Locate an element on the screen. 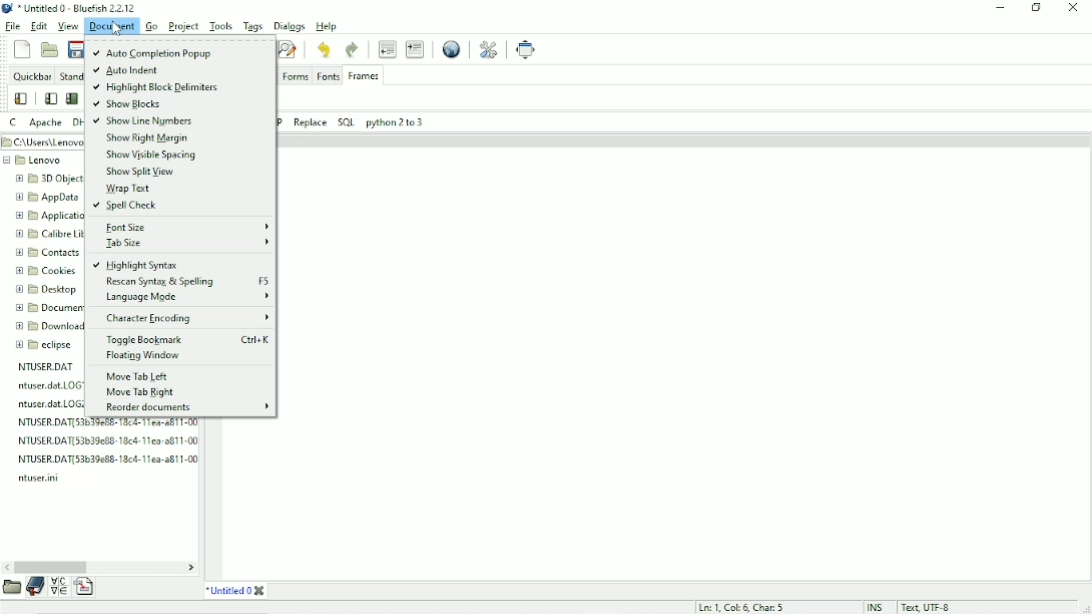 The height and width of the screenshot is (614, 1092). INS is located at coordinates (873, 606).